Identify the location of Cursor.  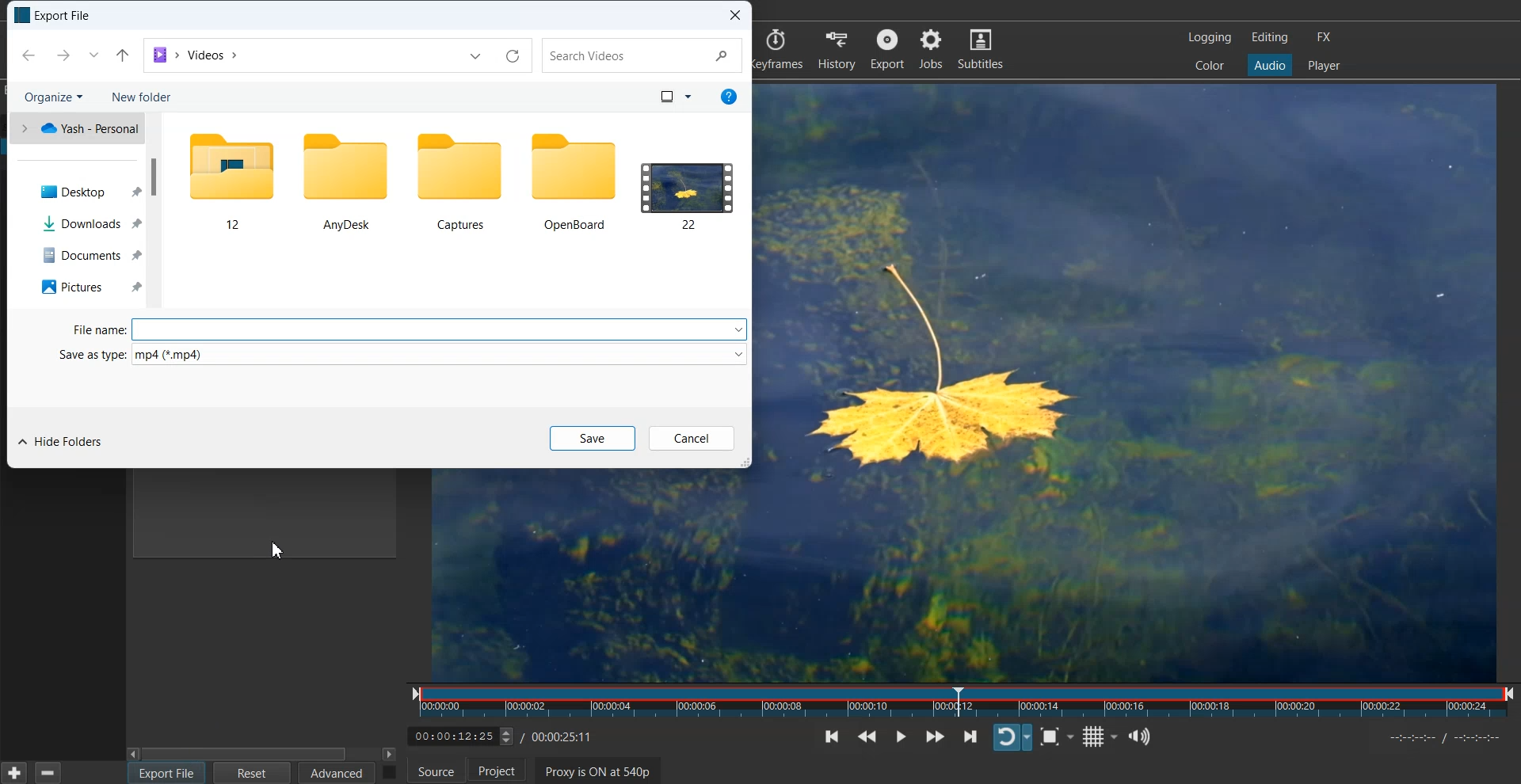
(181, 778).